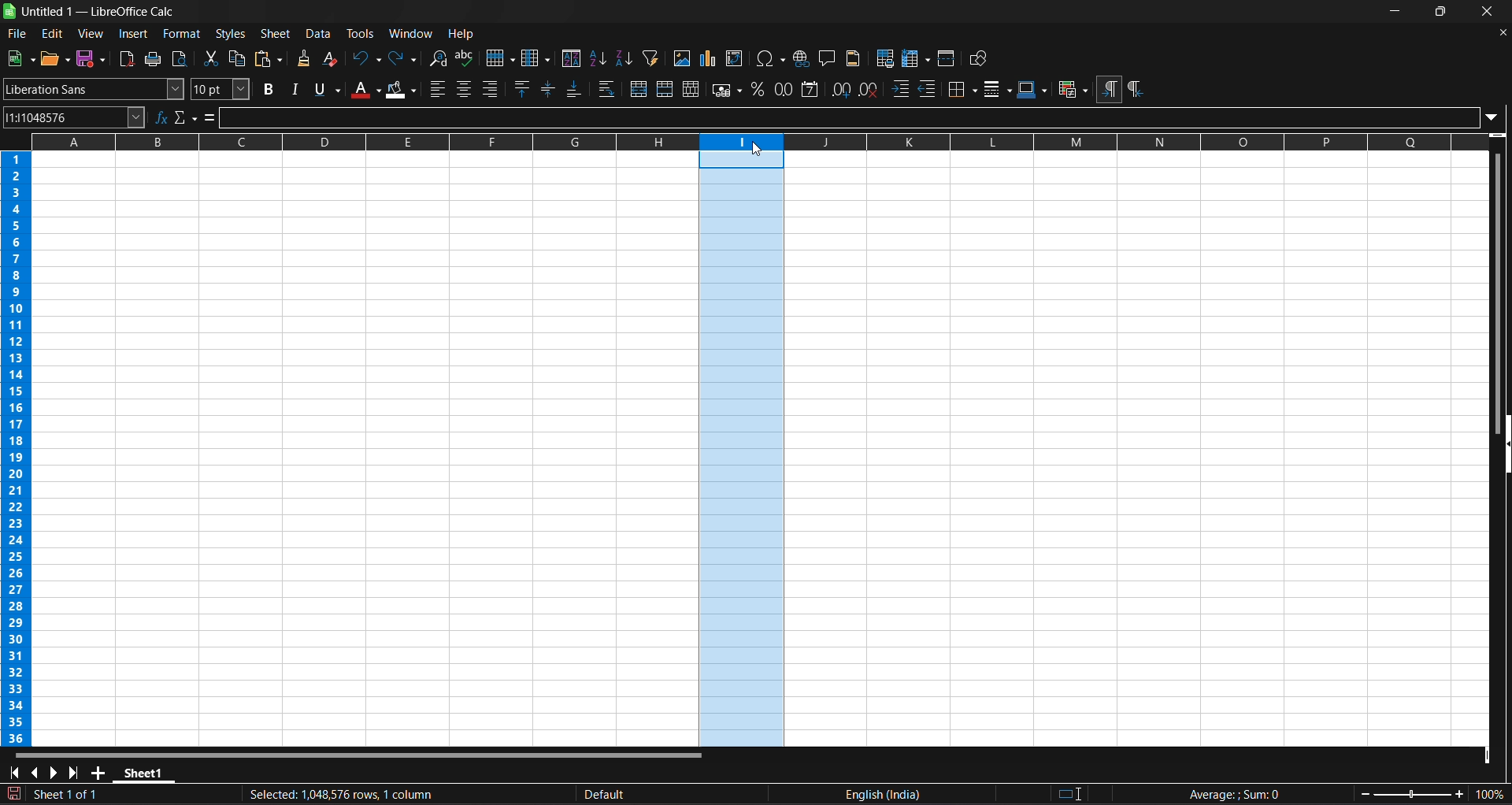 The image size is (1512, 805). What do you see at coordinates (187, 117) in the screenshot?
I see `select function` at bounding box center [187, 117].